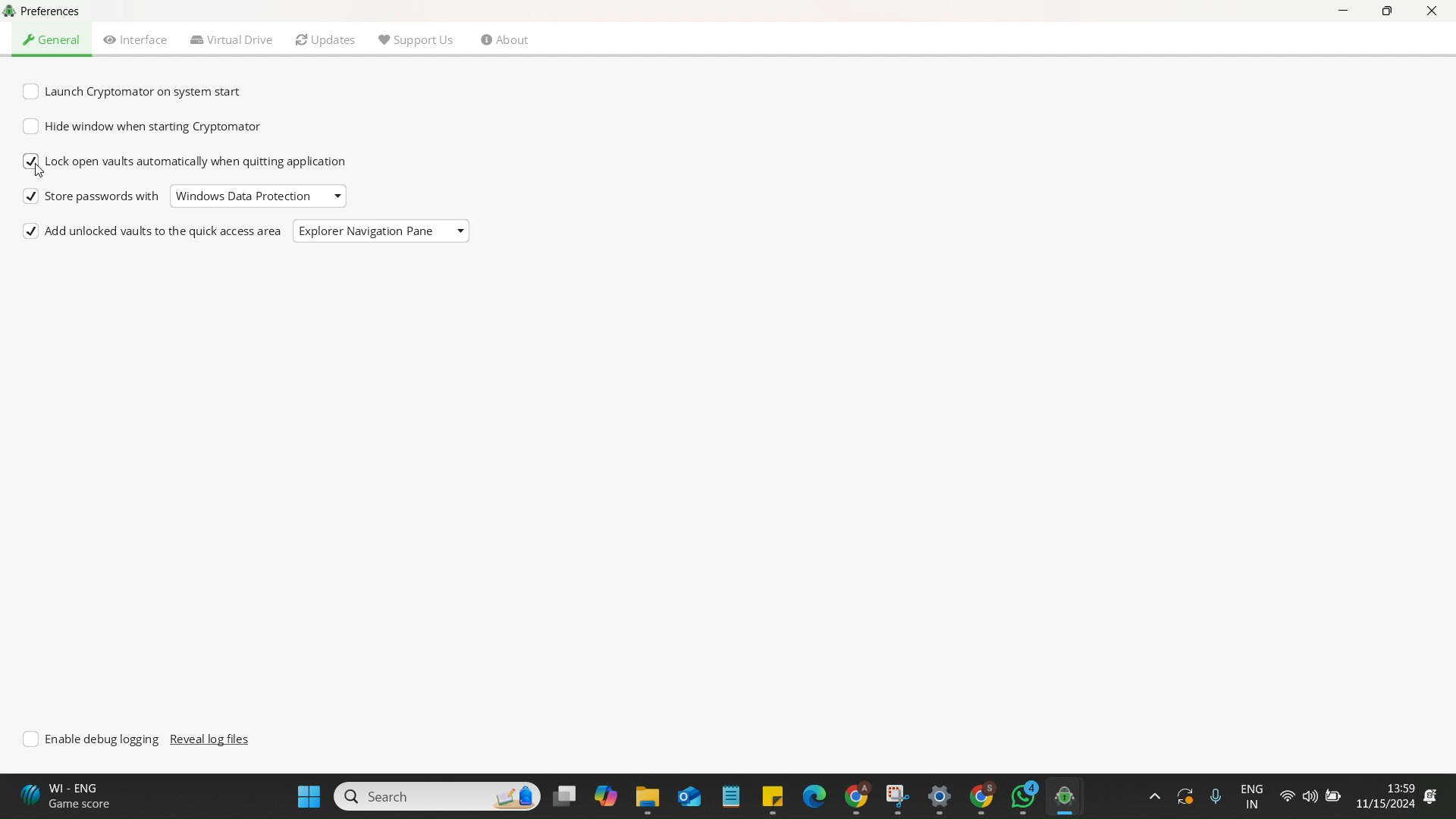  Describe the element at coordinates (1213, 794) in the screenshot. I see `Mic` at that location.